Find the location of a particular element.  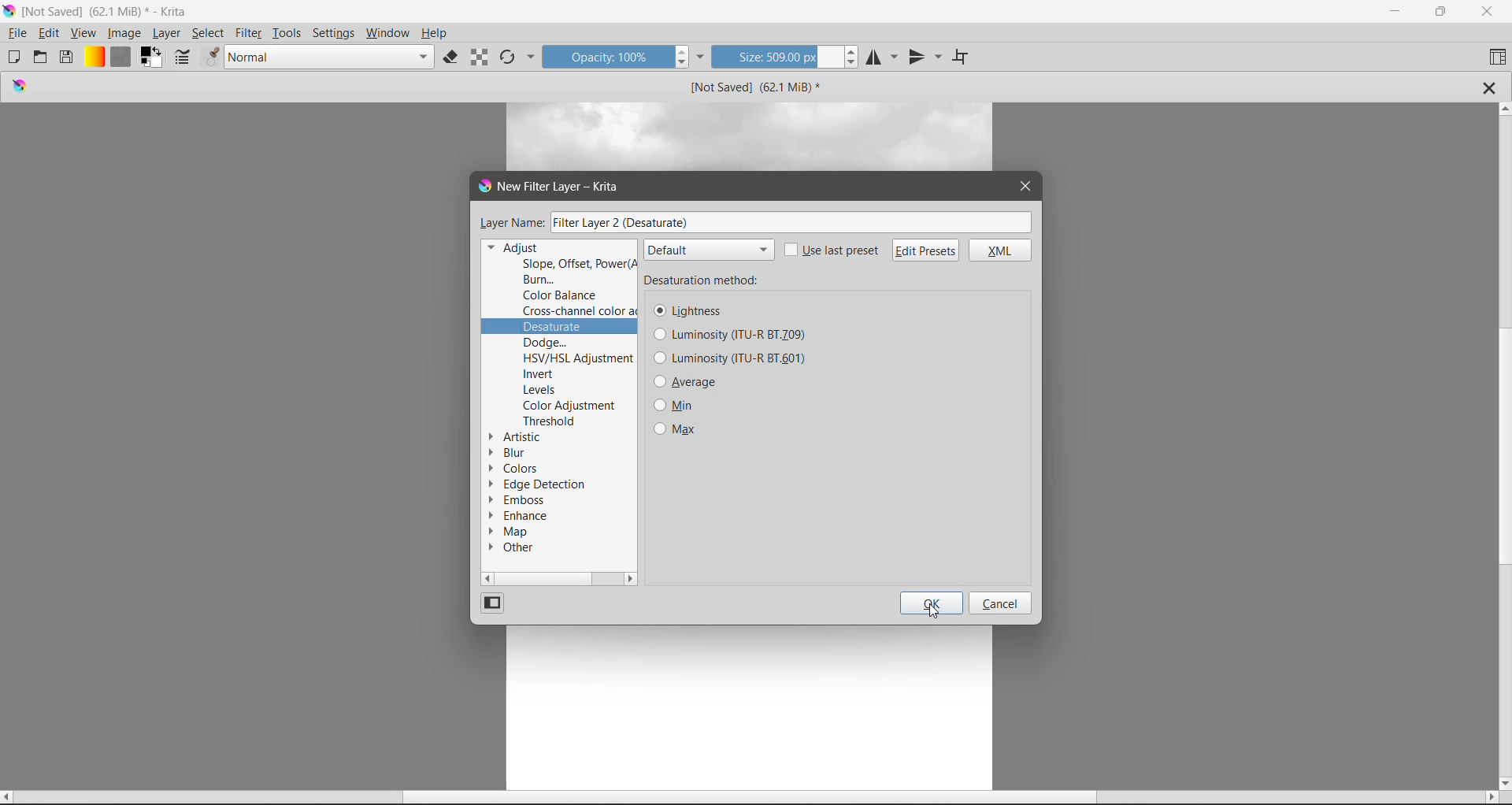

Adjust is located at coordinates (518, 247).